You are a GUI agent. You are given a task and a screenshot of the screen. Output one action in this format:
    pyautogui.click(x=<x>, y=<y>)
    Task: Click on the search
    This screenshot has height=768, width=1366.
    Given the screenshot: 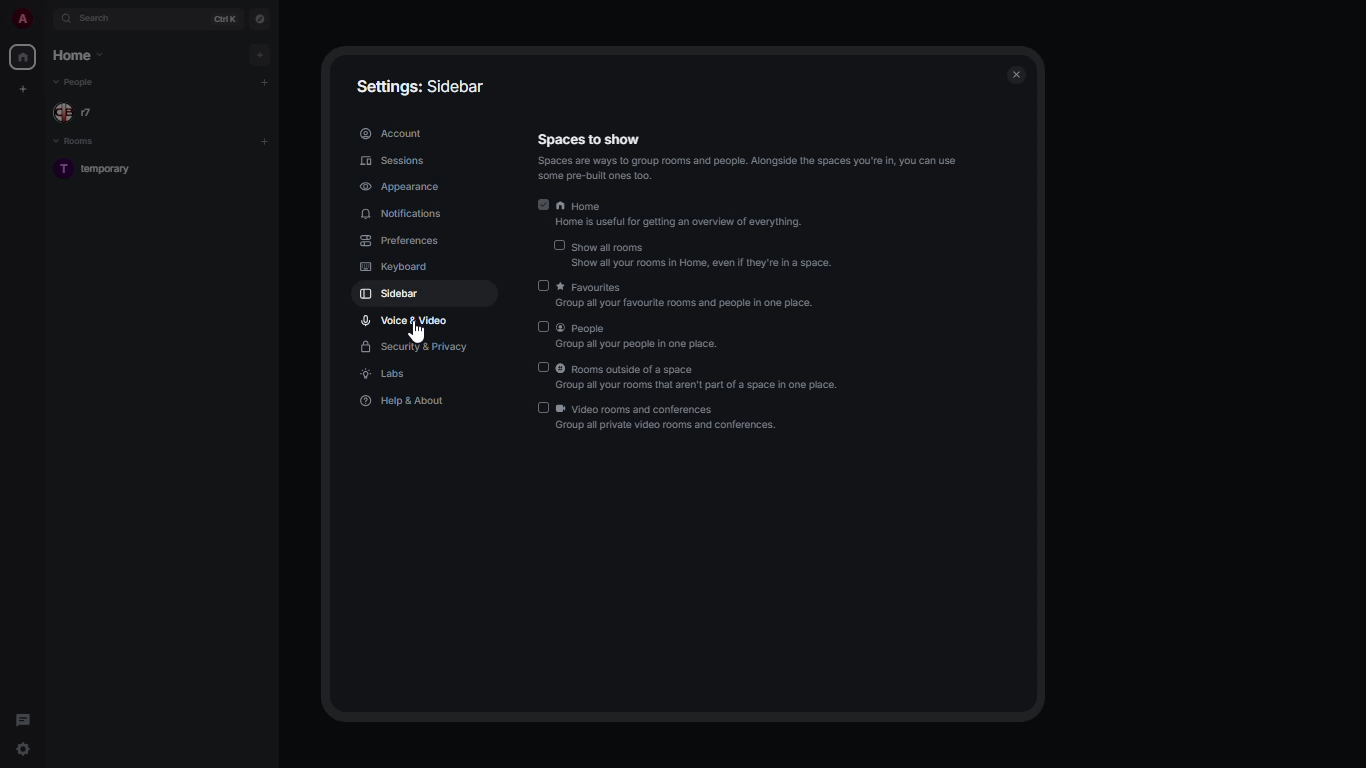 What is the action you would take?
    pyautogui.click(x=104, y=19)
    